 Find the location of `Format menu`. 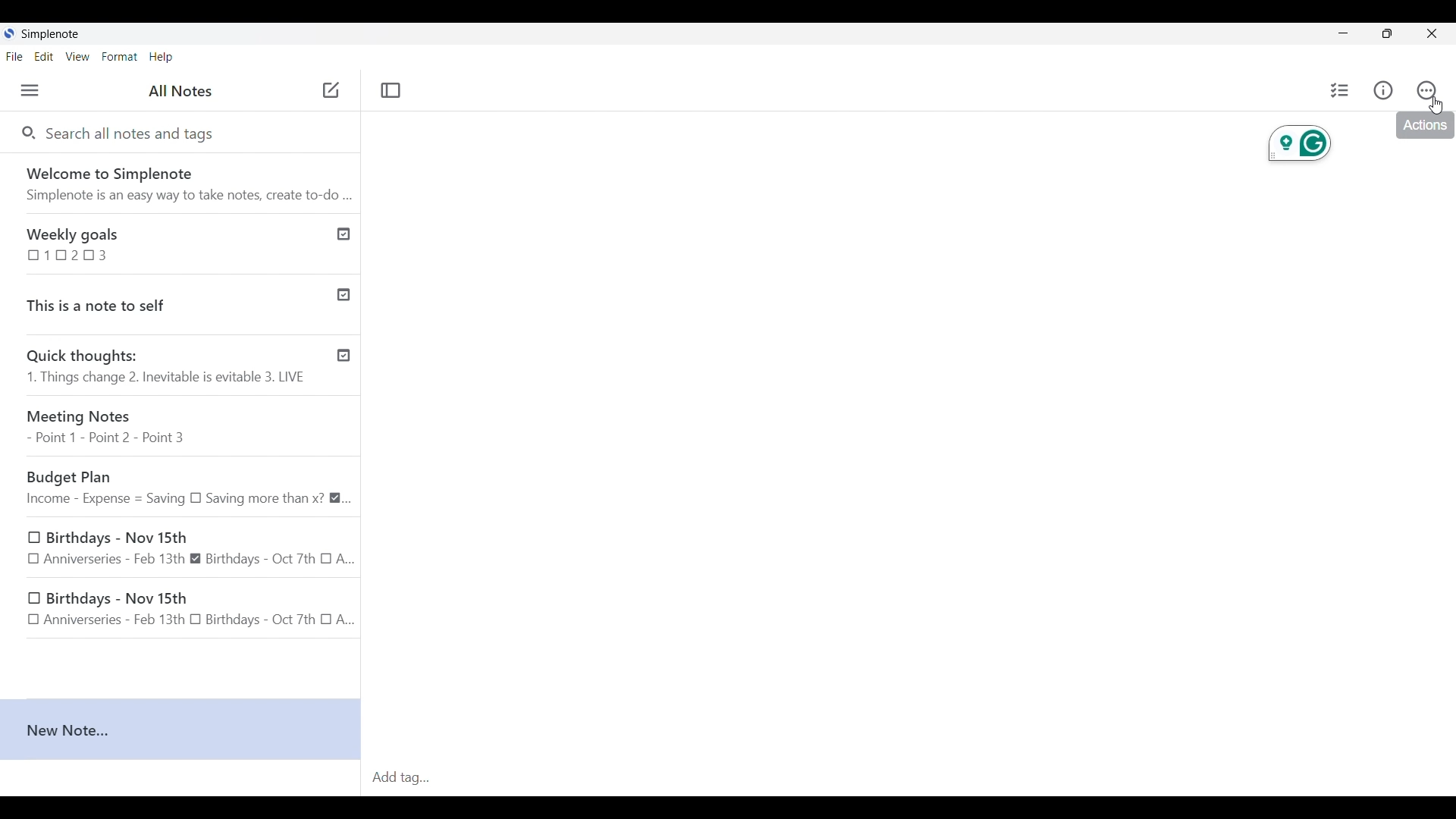

Format menu is located at coordinates (119, 57).